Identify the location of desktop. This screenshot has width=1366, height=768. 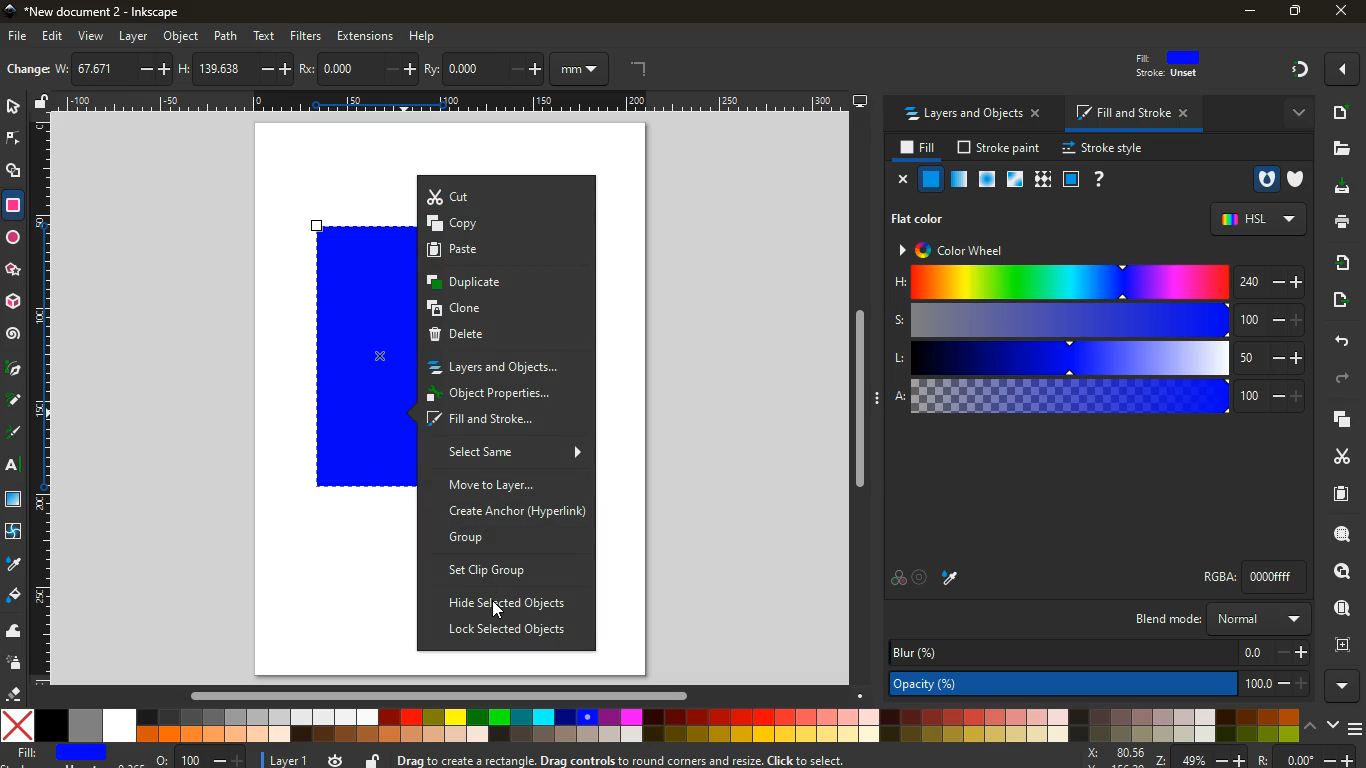
(1335, 189).